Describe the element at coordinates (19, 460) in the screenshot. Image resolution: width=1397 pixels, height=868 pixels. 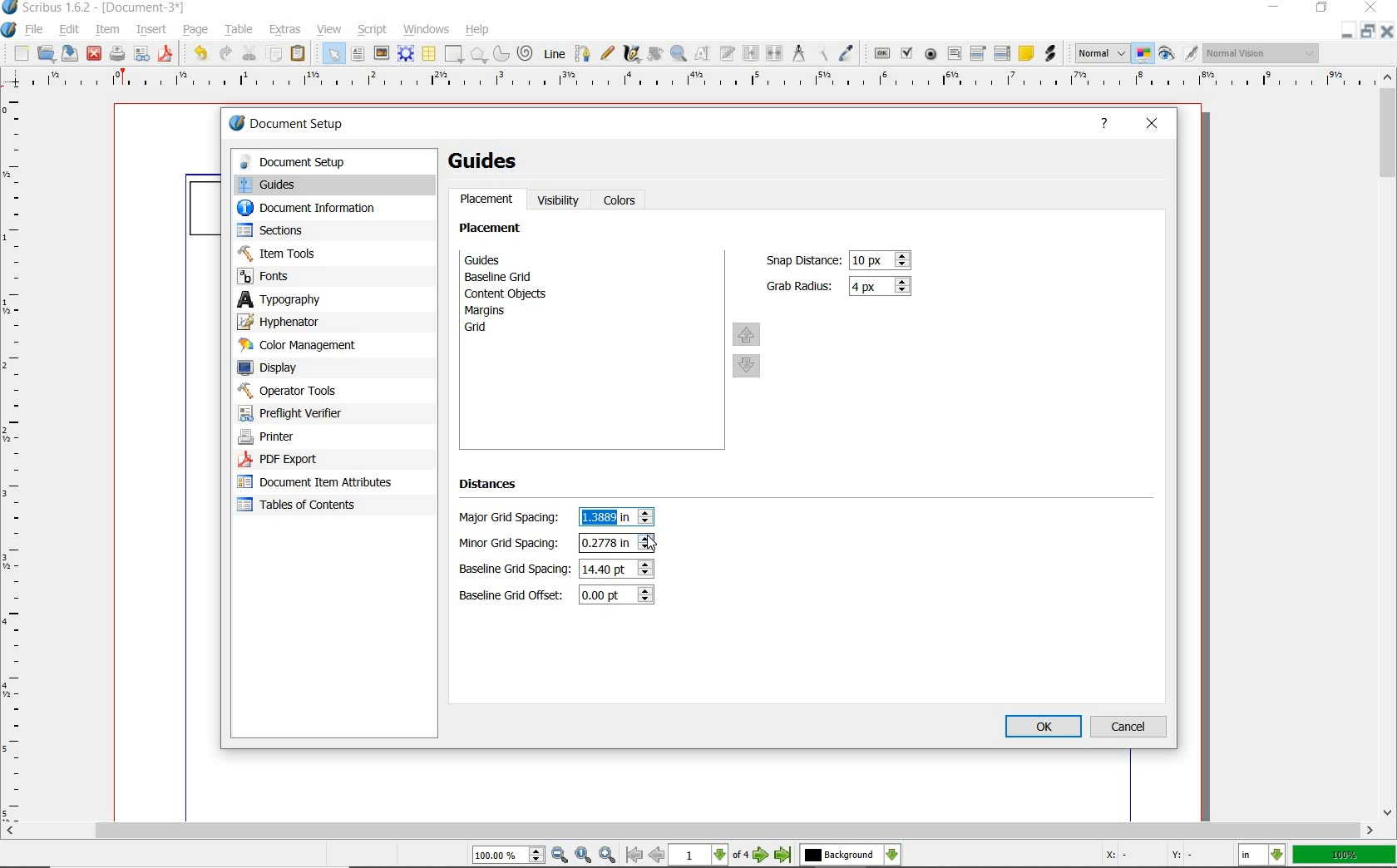
I see `ruler` at that location.